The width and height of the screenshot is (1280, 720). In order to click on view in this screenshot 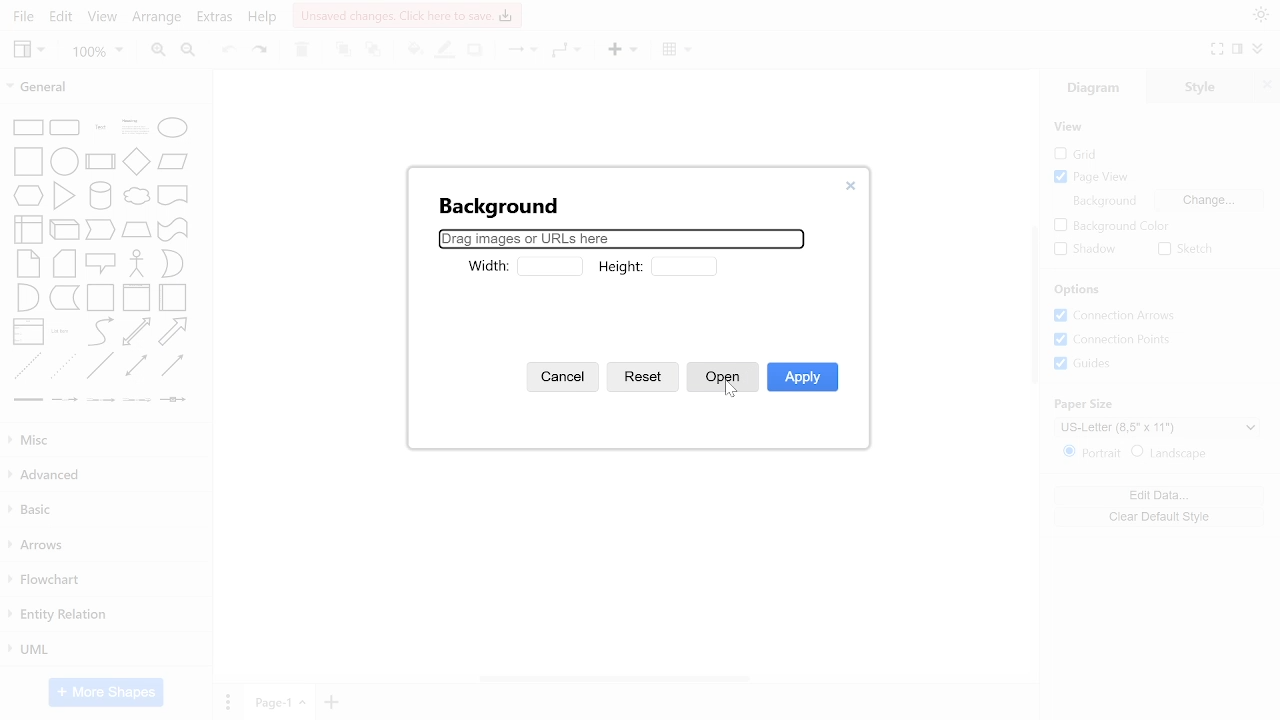, I will do `click(103, 18)`.